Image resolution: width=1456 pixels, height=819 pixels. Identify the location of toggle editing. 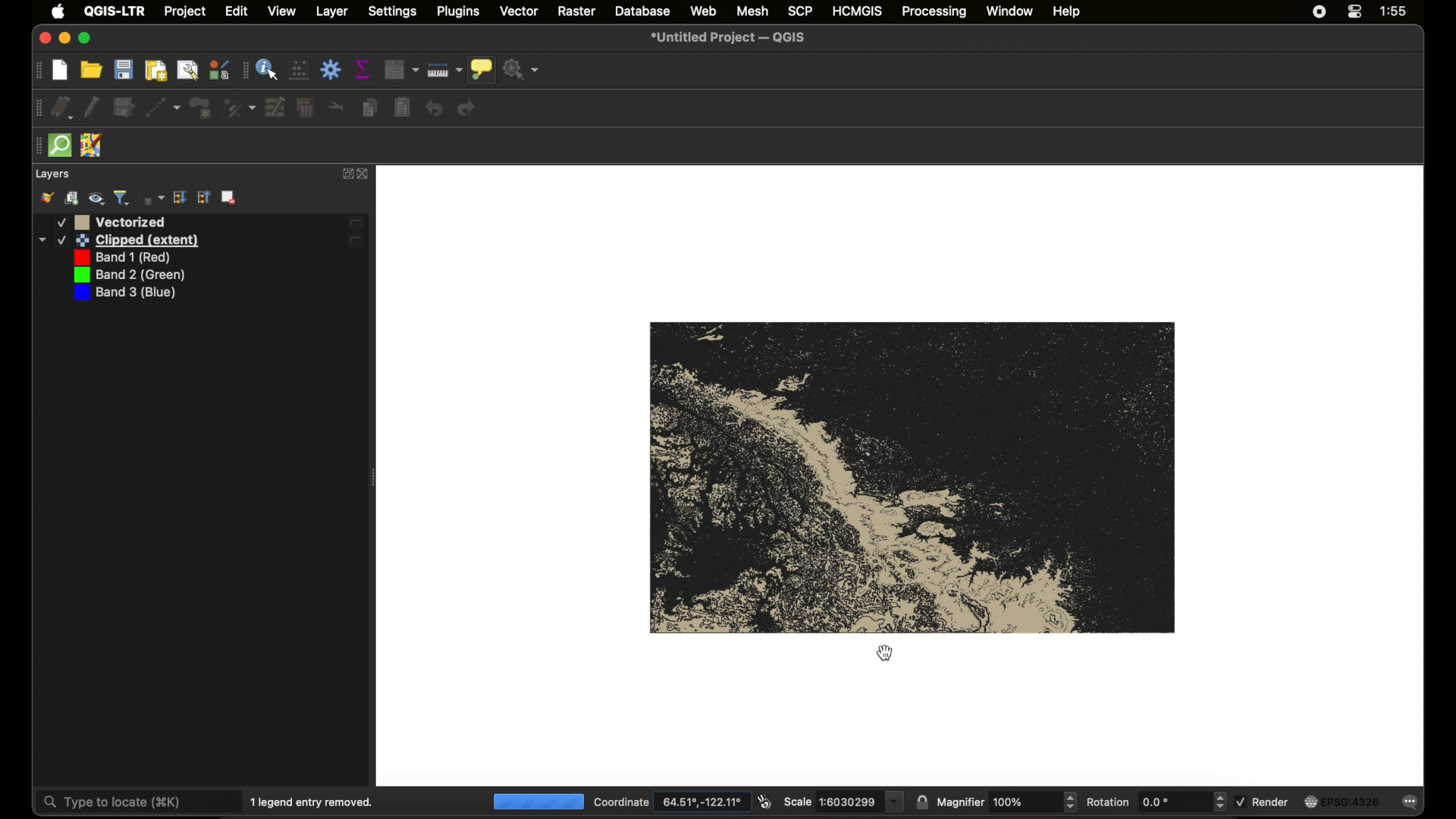
(92, 108).